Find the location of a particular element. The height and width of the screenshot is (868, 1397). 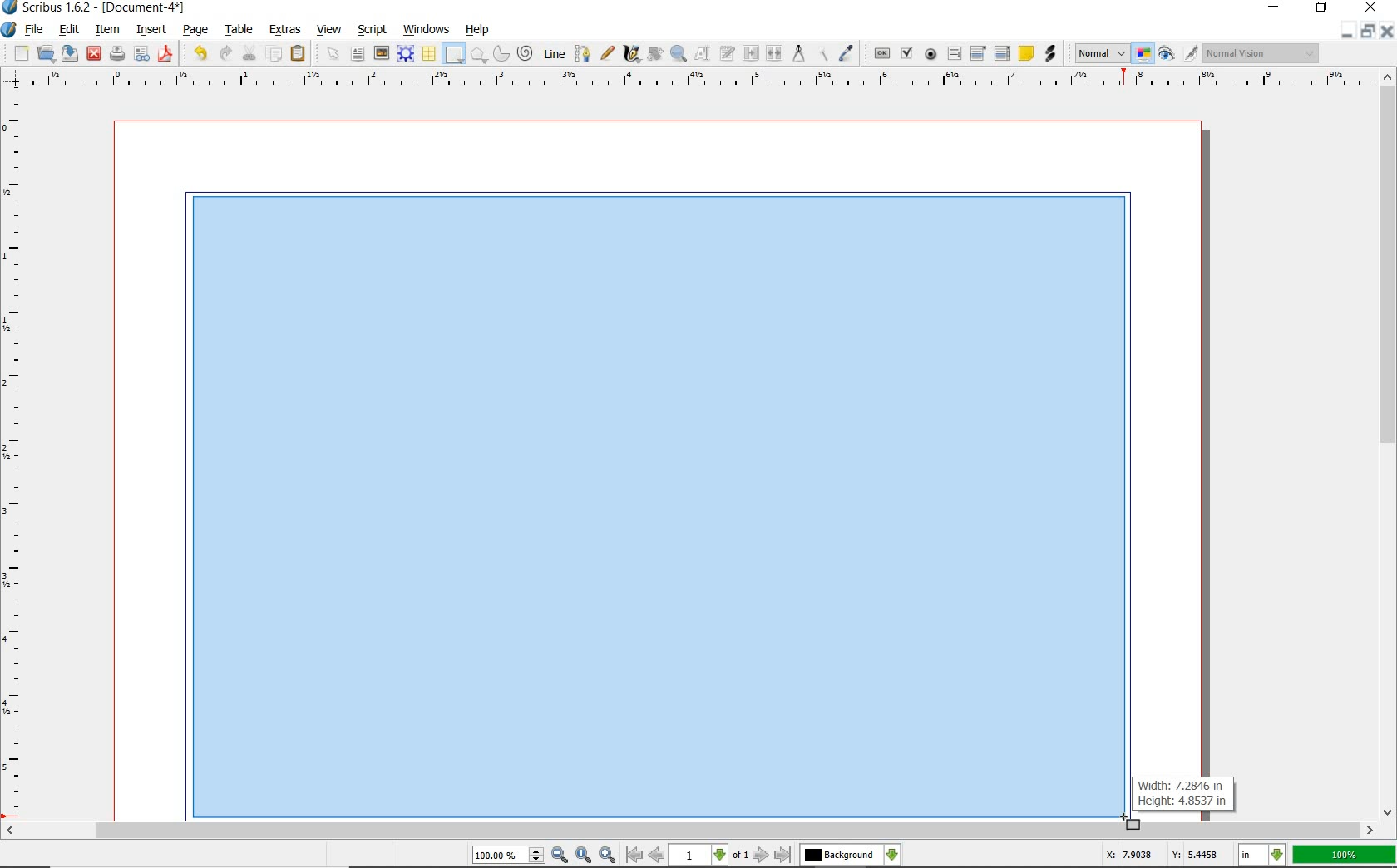

paste is located at coordinates (298, 54).